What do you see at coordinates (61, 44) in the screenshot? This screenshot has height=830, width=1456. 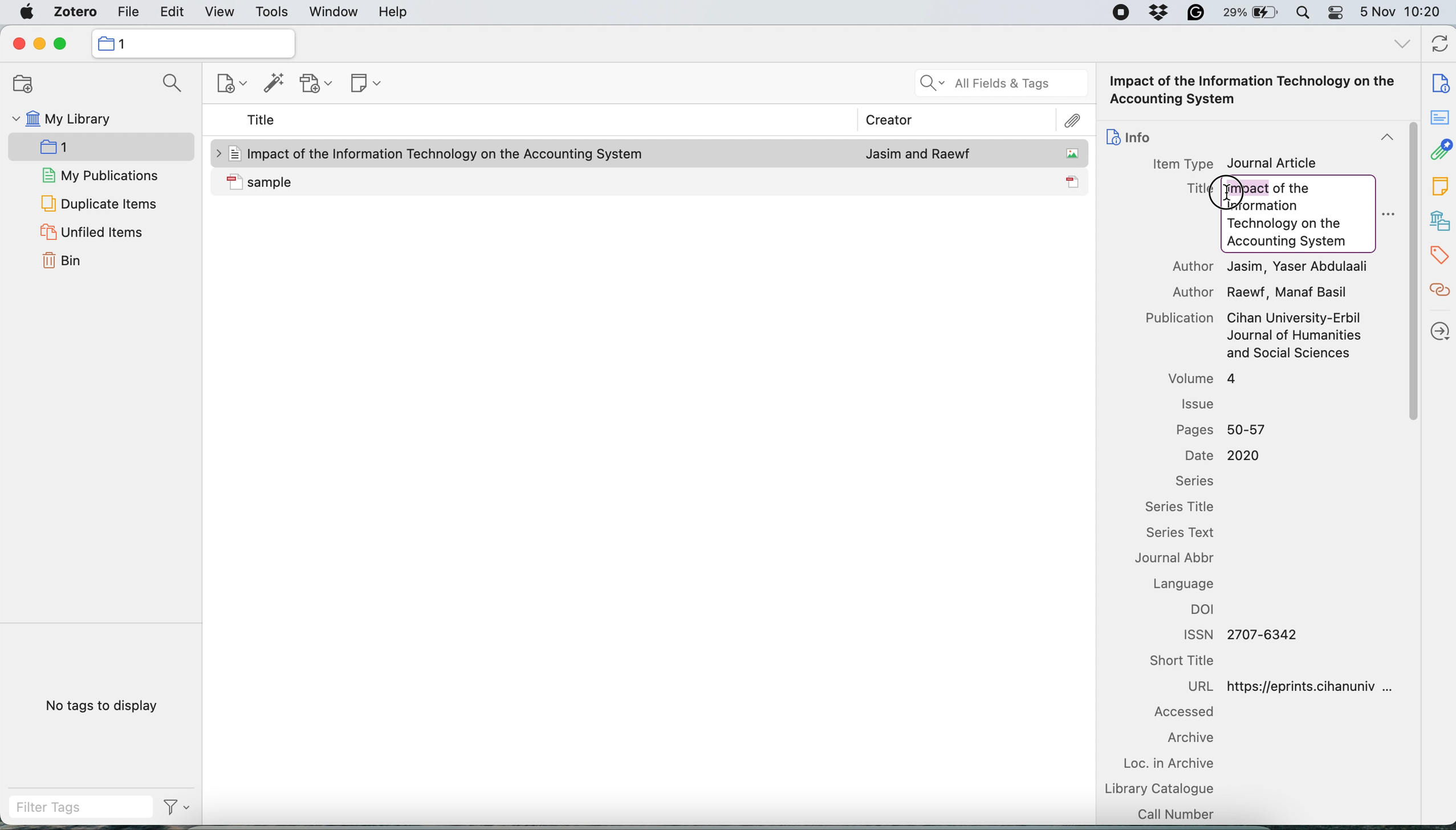 I see `maximise` at bounding box center [61, 44].